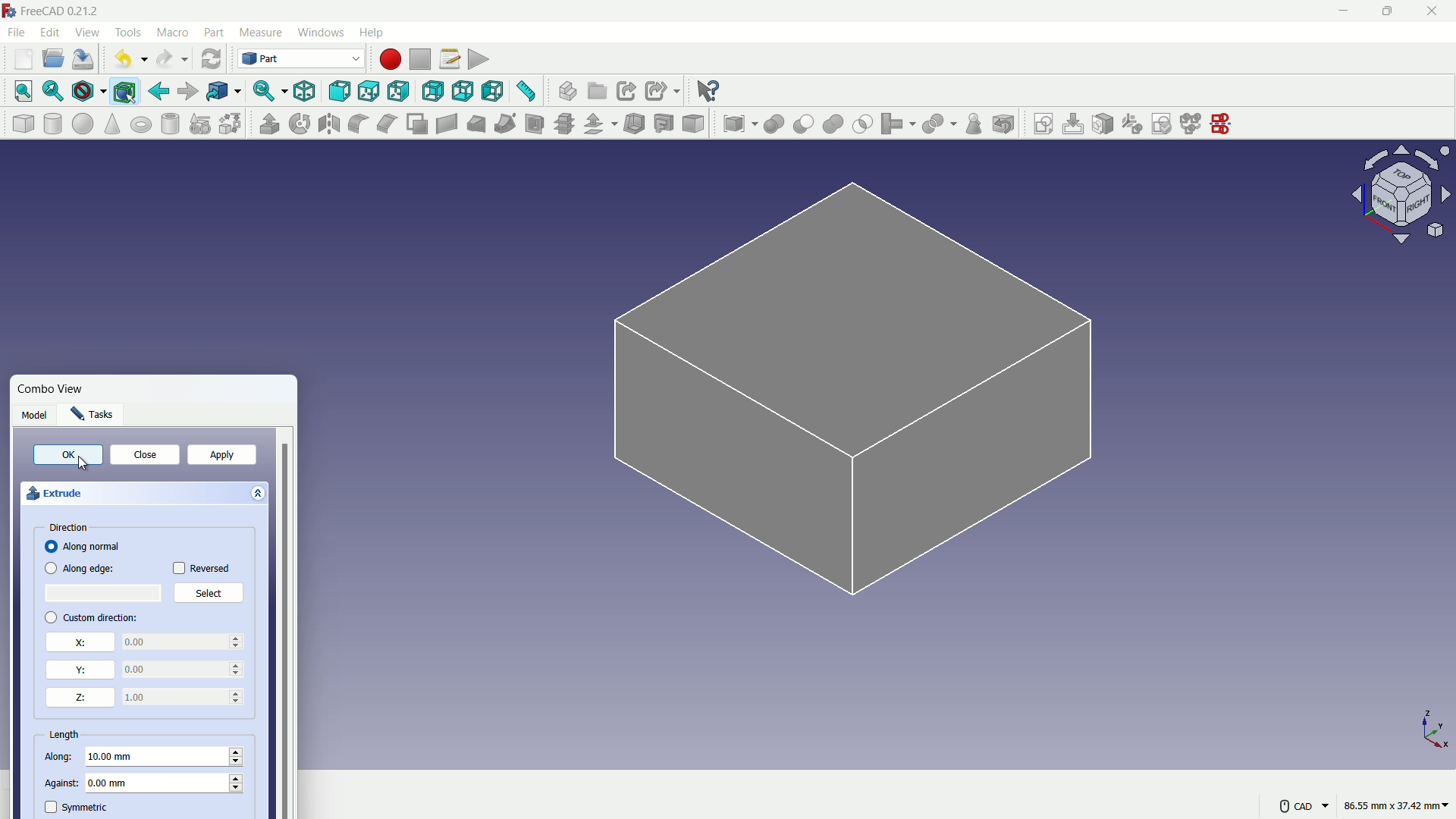  I want to click on mirror sketch, so click(1226, 123).